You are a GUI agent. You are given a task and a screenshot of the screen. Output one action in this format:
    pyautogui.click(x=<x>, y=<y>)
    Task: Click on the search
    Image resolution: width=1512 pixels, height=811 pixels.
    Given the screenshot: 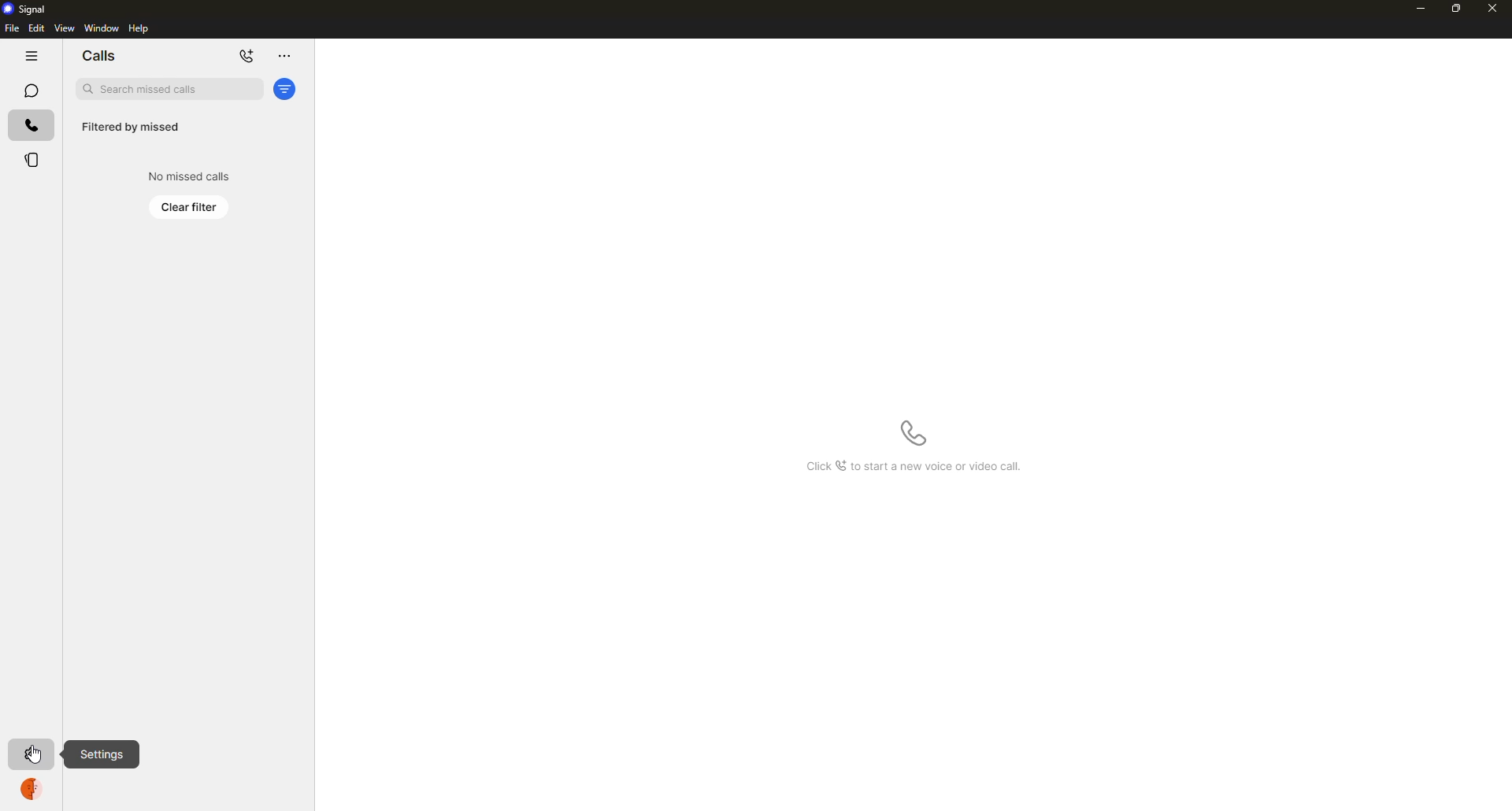 What is the action you would take?
    pyautogui.click(x=169, y=88)
    